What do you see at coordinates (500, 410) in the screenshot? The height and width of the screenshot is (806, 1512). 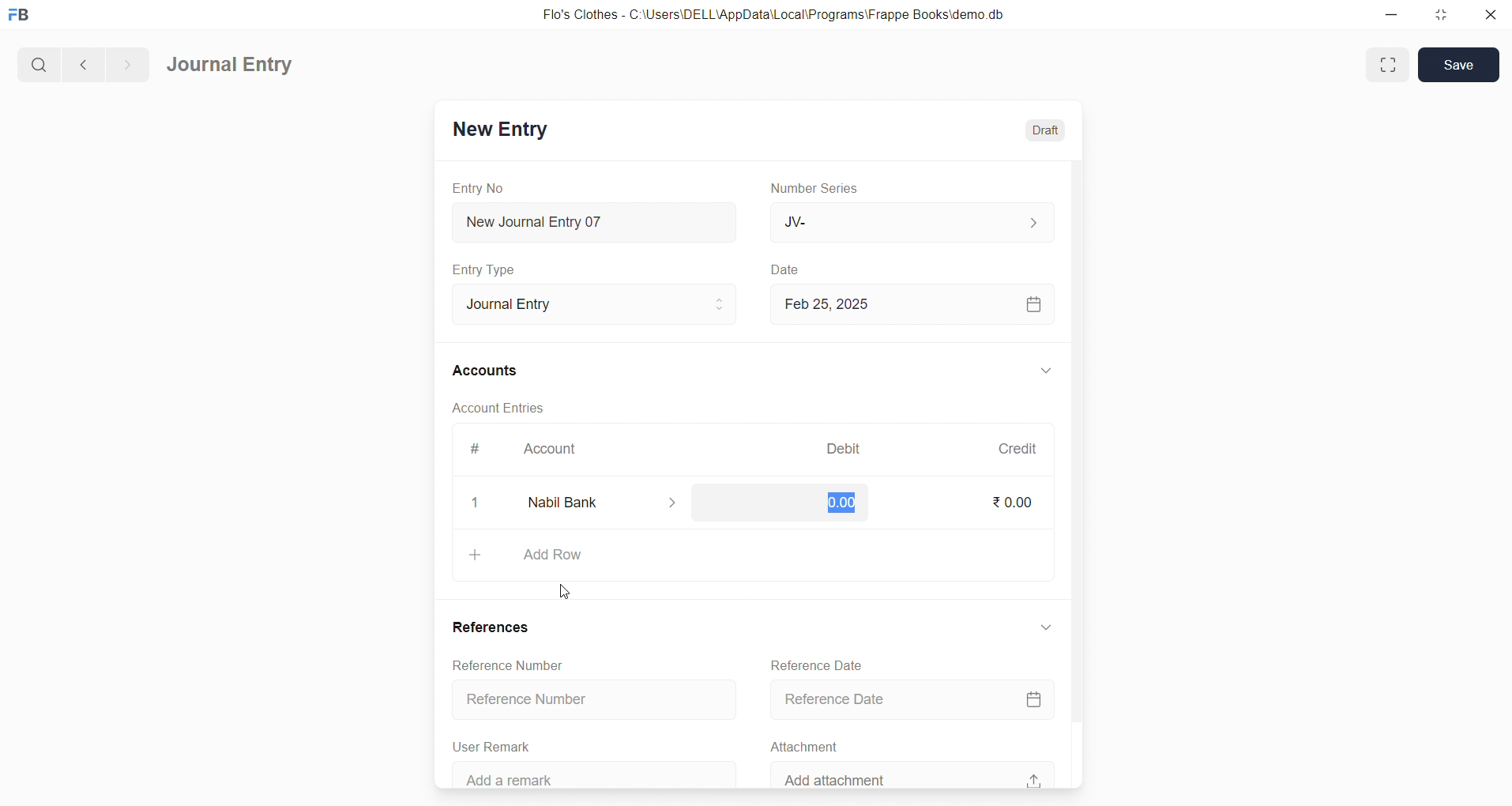 I see `Account Entries` at bounding box center [500, 410].